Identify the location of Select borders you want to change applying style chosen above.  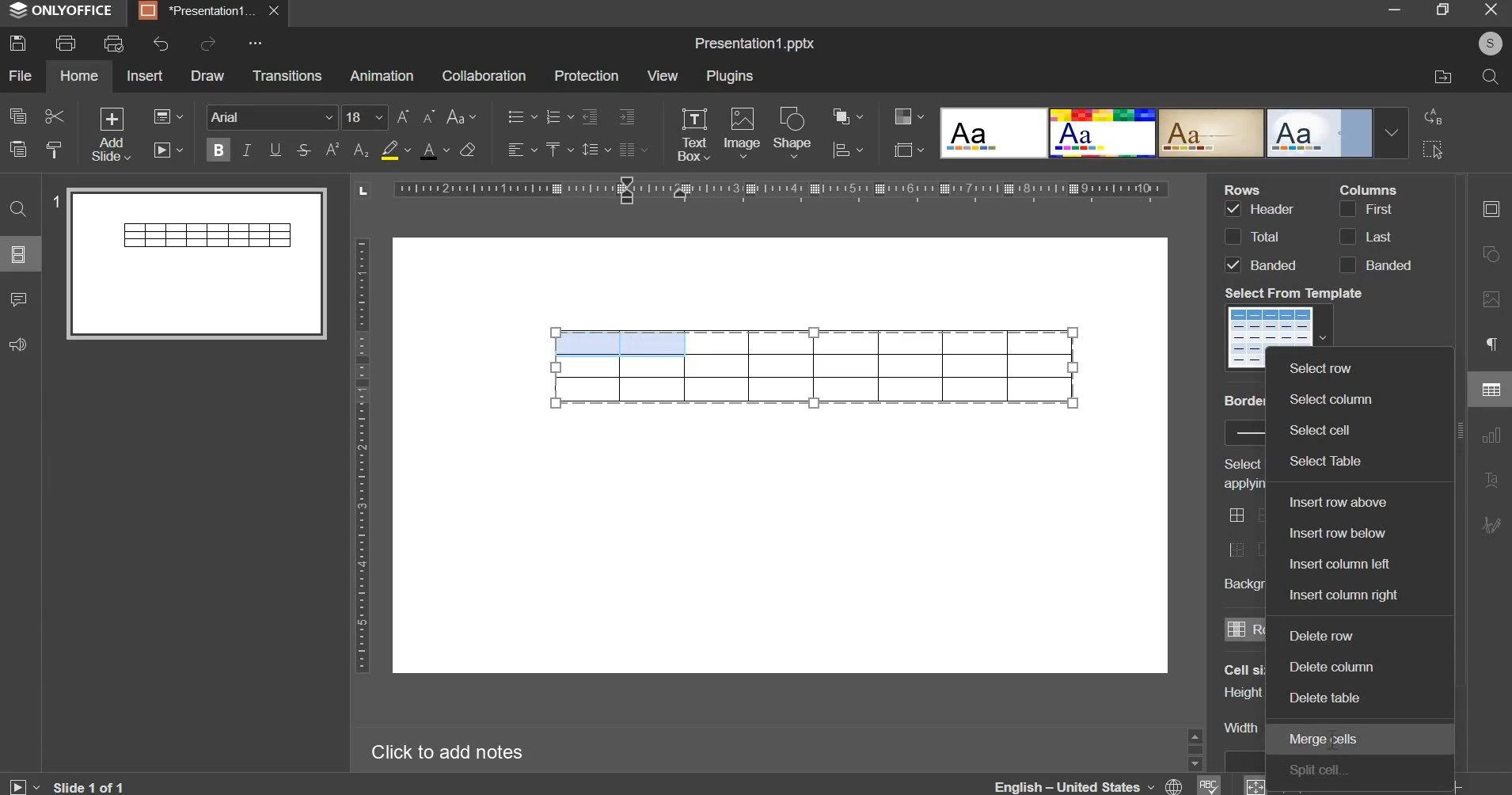
(1243, 474).